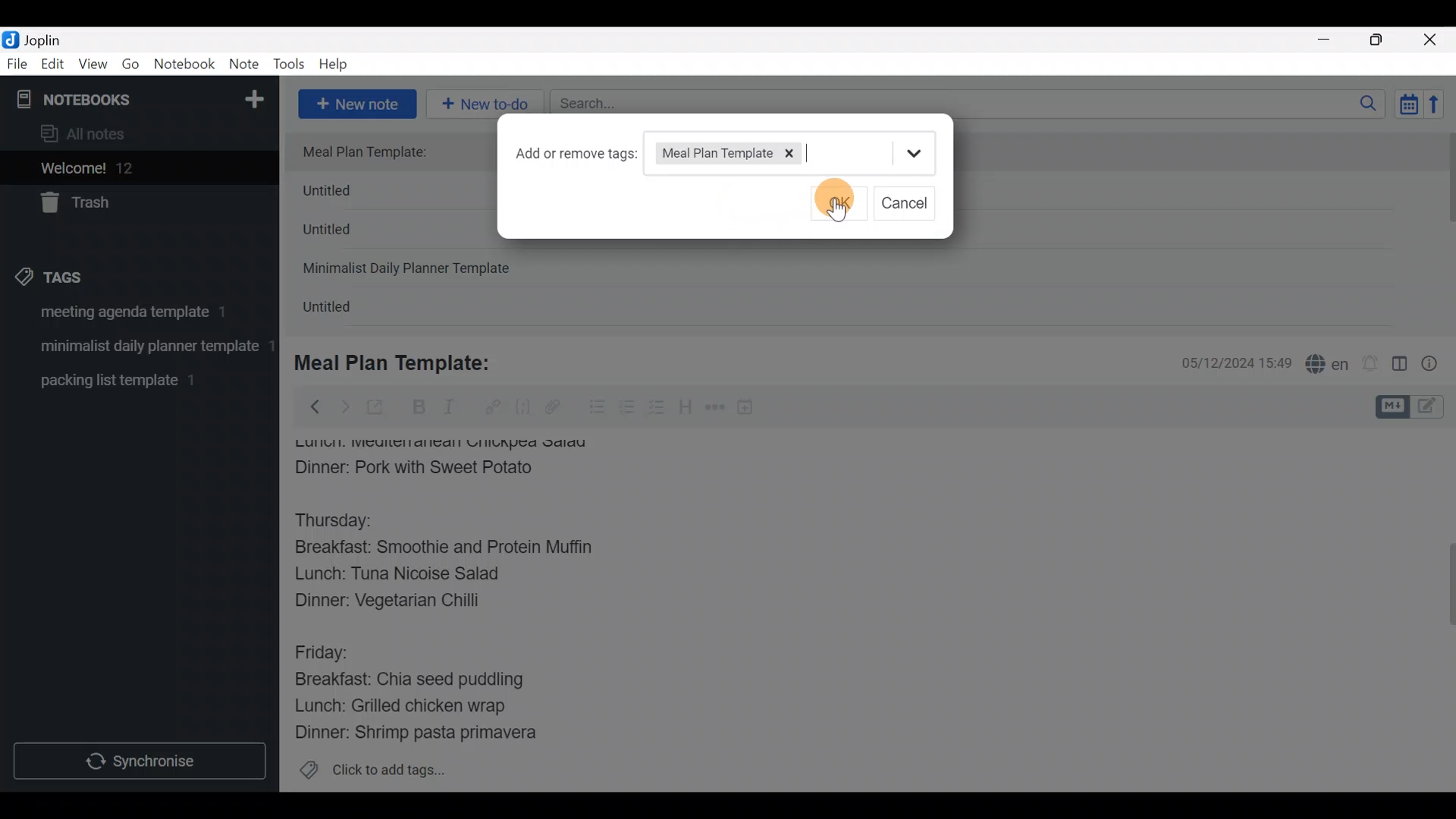  What do you see at coordinates (344, 406) in the screenshot?
I see `Forward` at bounding box center [344, 406].